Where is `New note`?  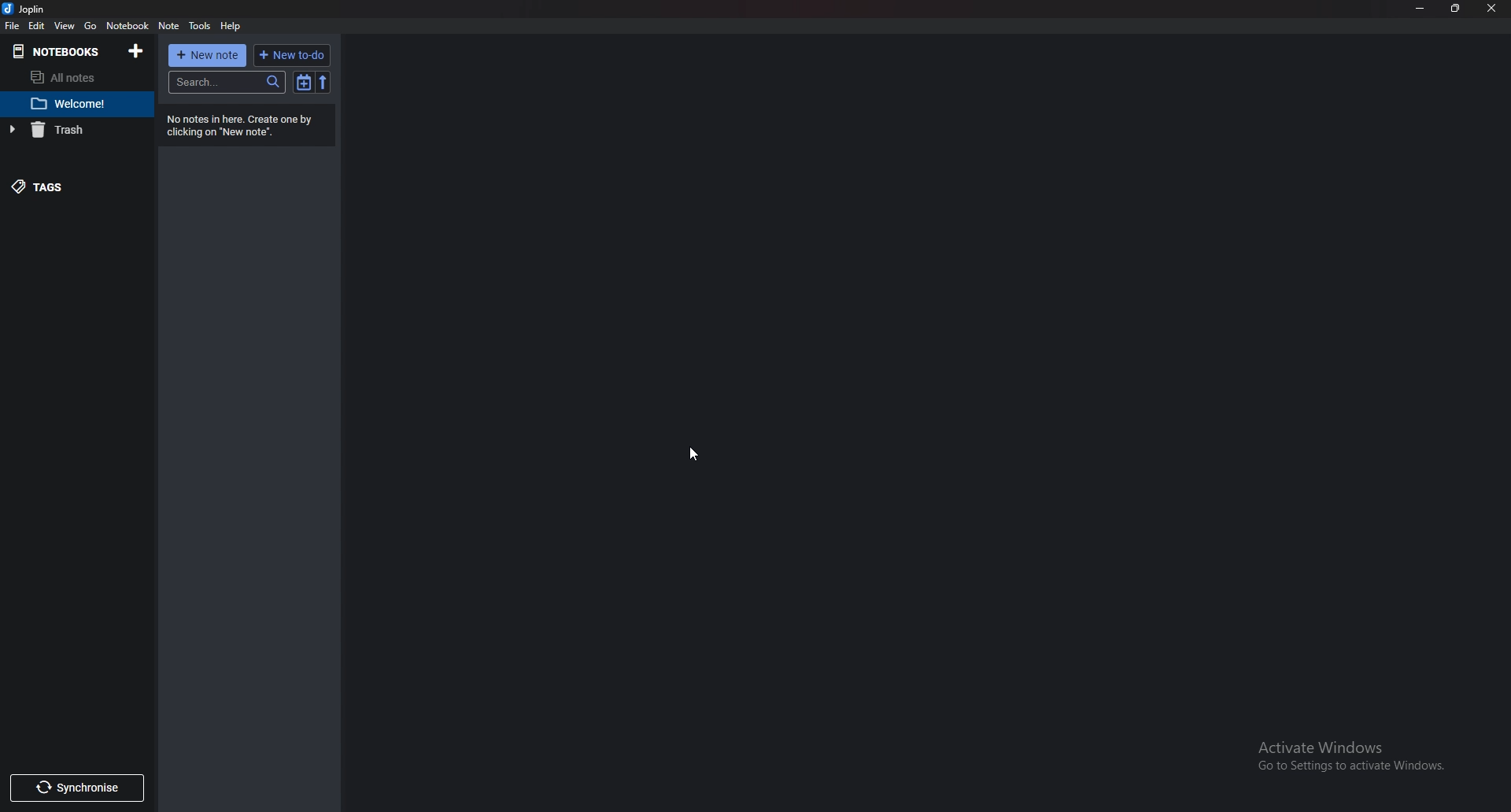 New note is located at coordinates (206, 54).